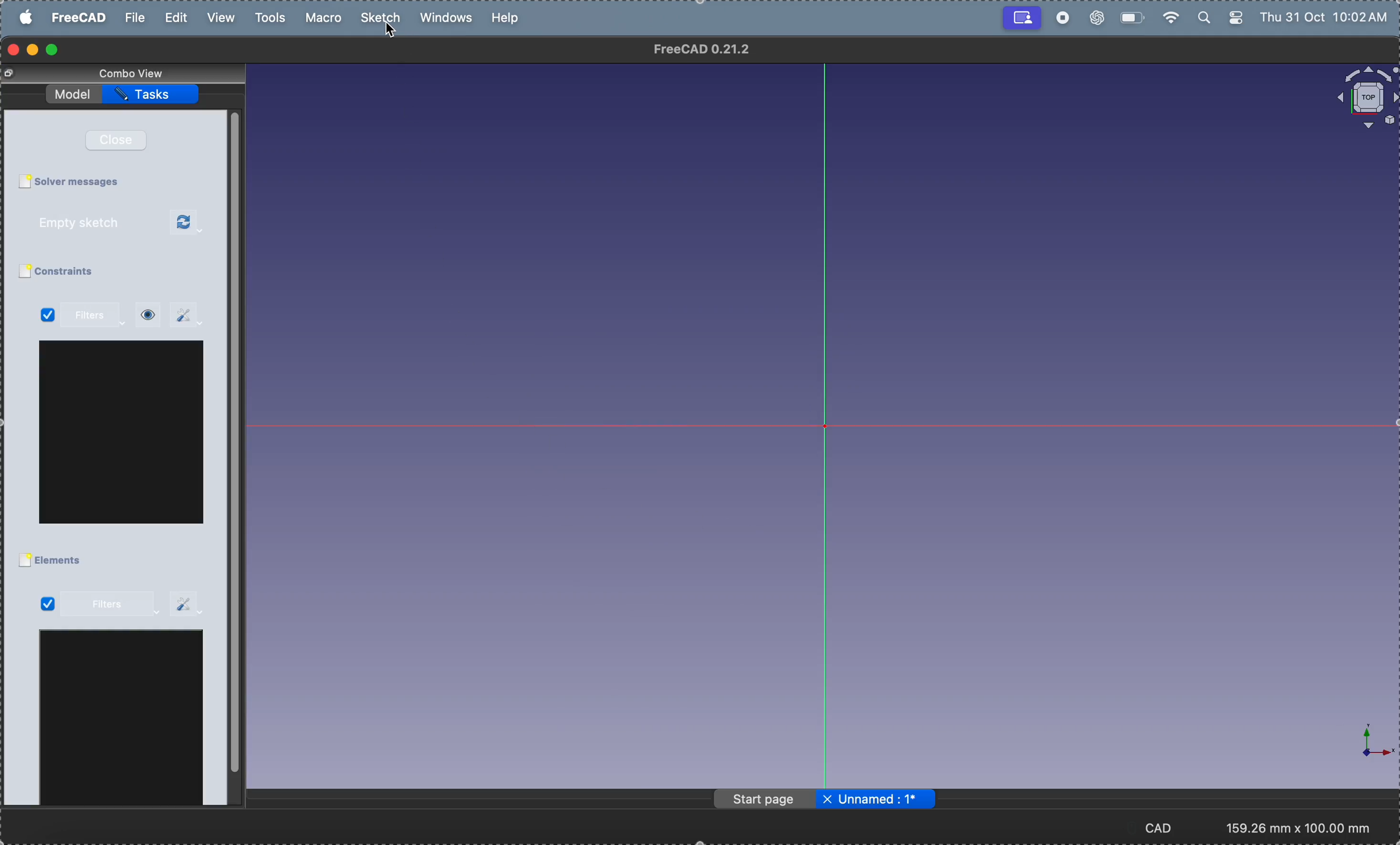 The image size is (1400, 845). Describe the element at coordinates (383, 18) in the screenshot. I see `sketch` at that location.